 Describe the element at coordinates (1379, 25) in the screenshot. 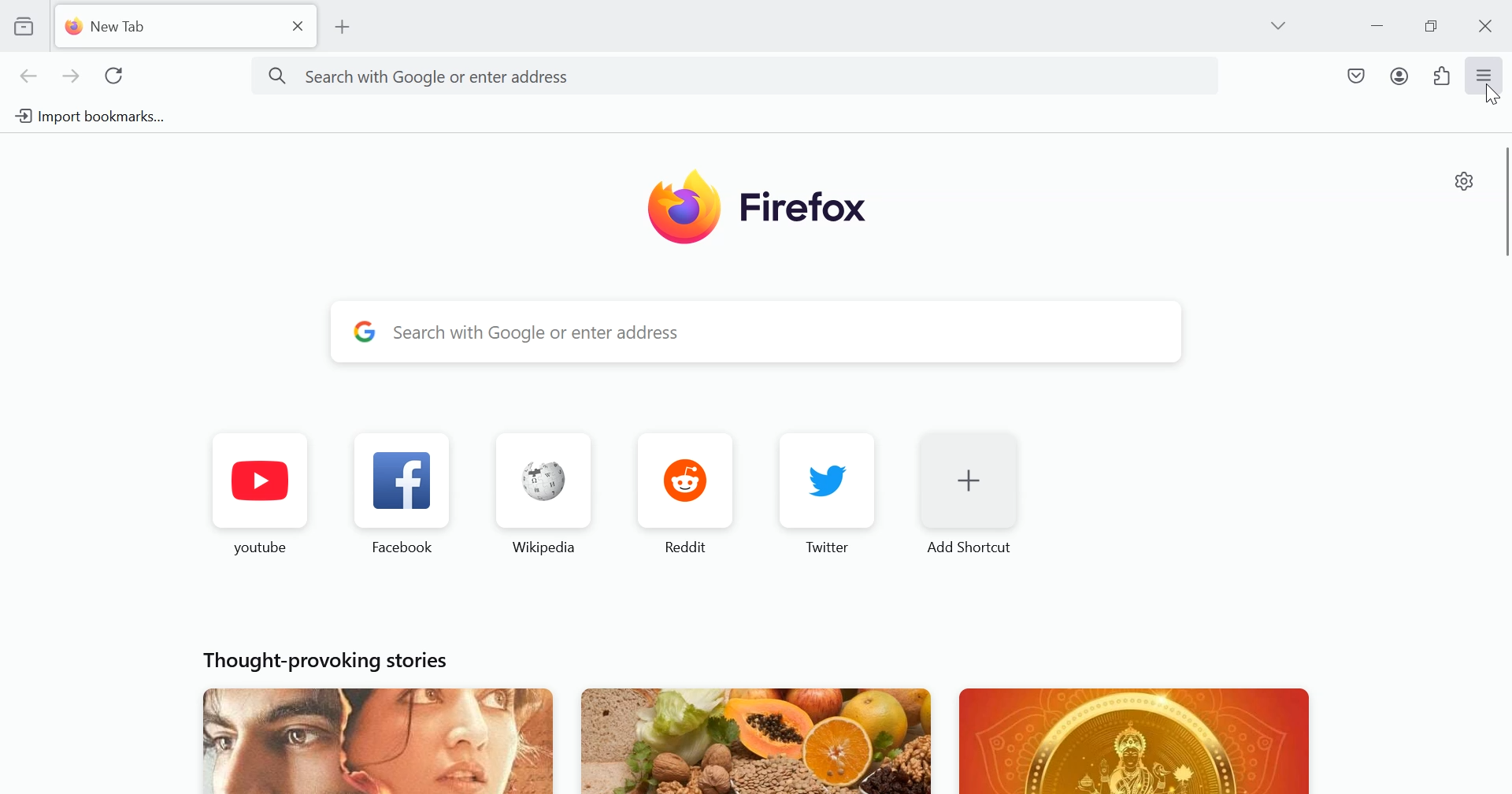

I see `Minimize` at that location.